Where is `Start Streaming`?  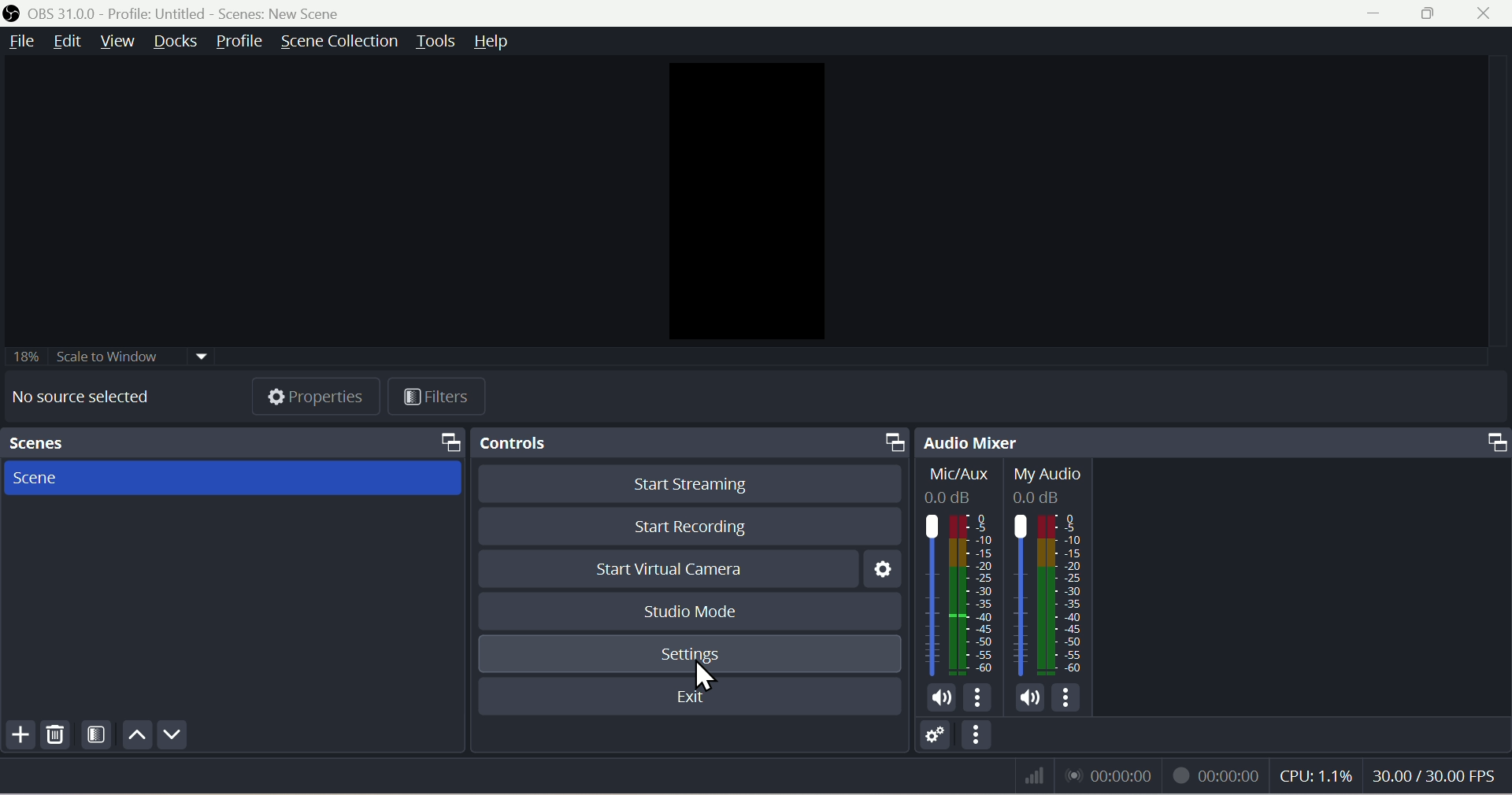 Start Streaming is located at coordinates (688, 481).